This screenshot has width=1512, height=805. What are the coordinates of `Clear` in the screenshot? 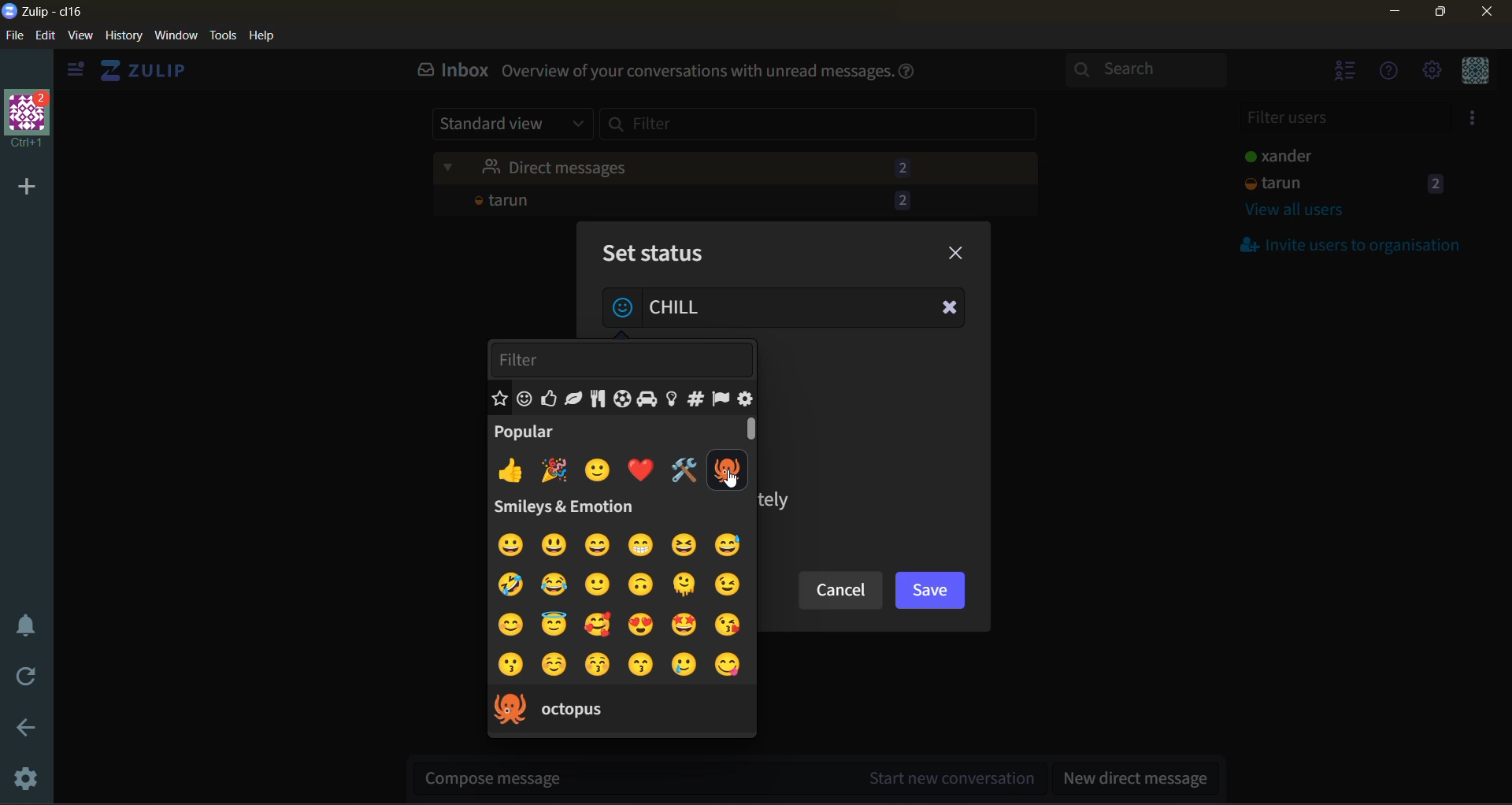 It's located at (951, 310).